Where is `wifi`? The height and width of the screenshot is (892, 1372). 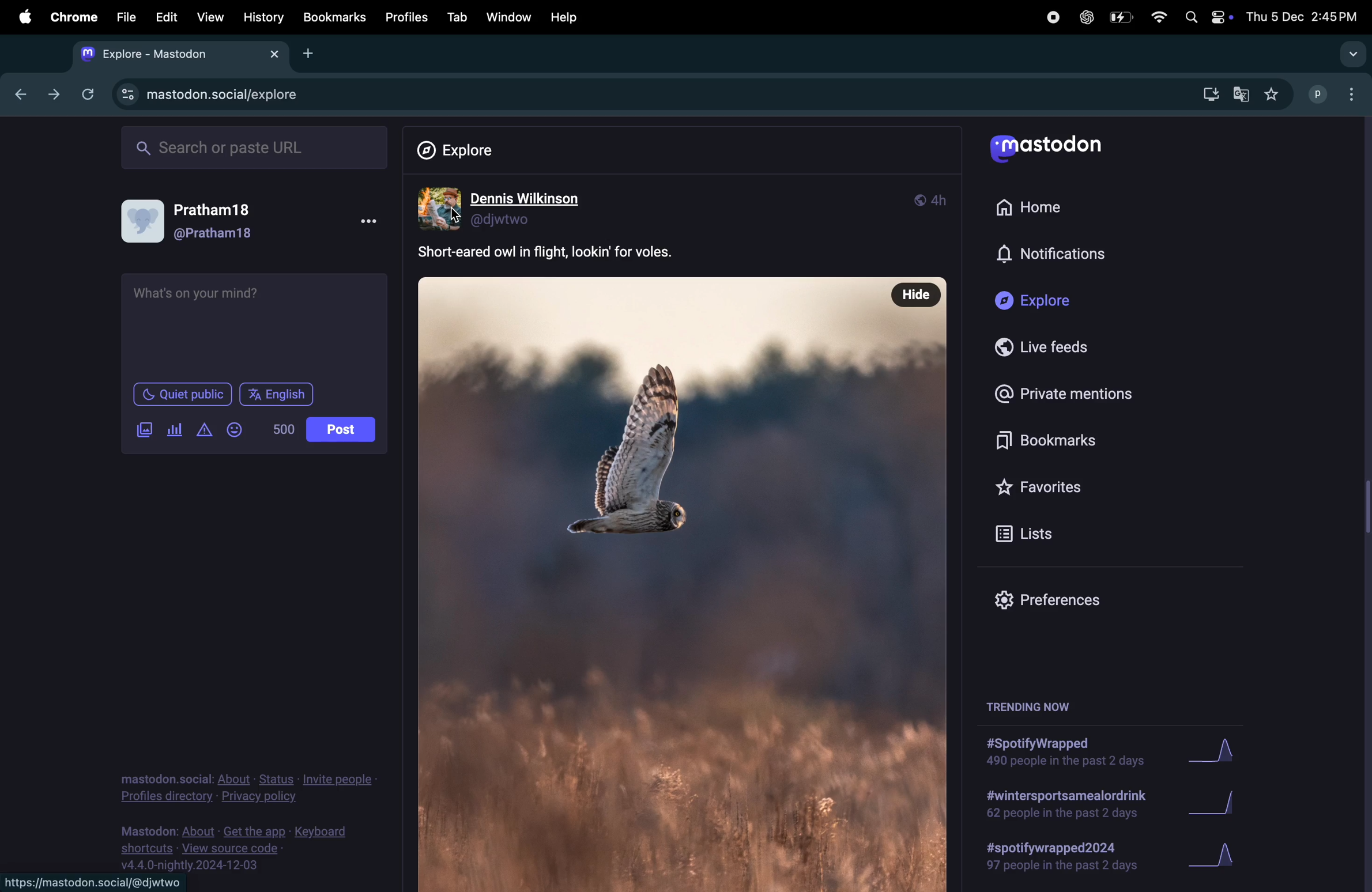
wifi is located at coordinates (1157, 18).